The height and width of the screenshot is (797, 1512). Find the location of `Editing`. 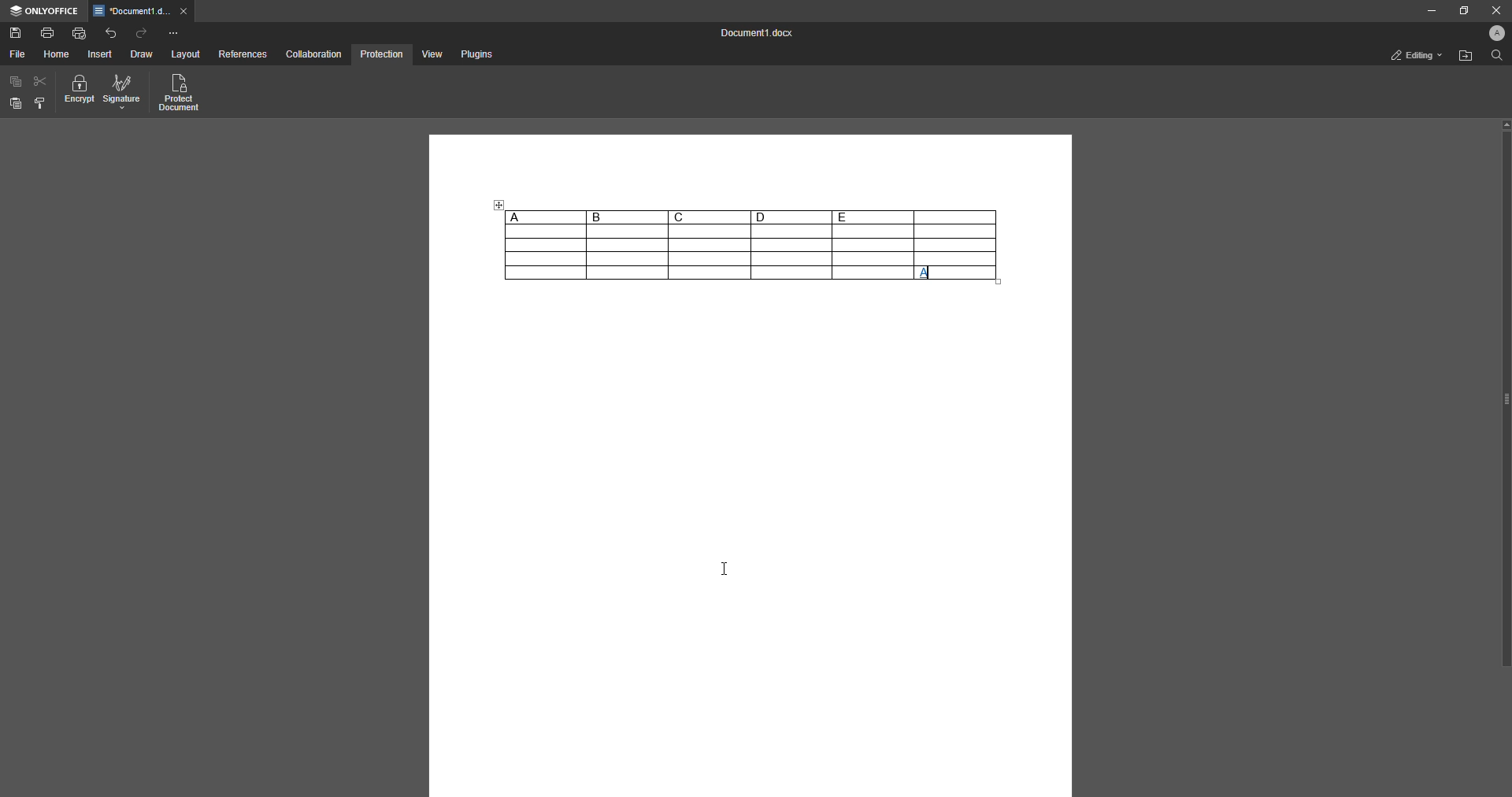

Editing is located at coordinates (1412, 55).